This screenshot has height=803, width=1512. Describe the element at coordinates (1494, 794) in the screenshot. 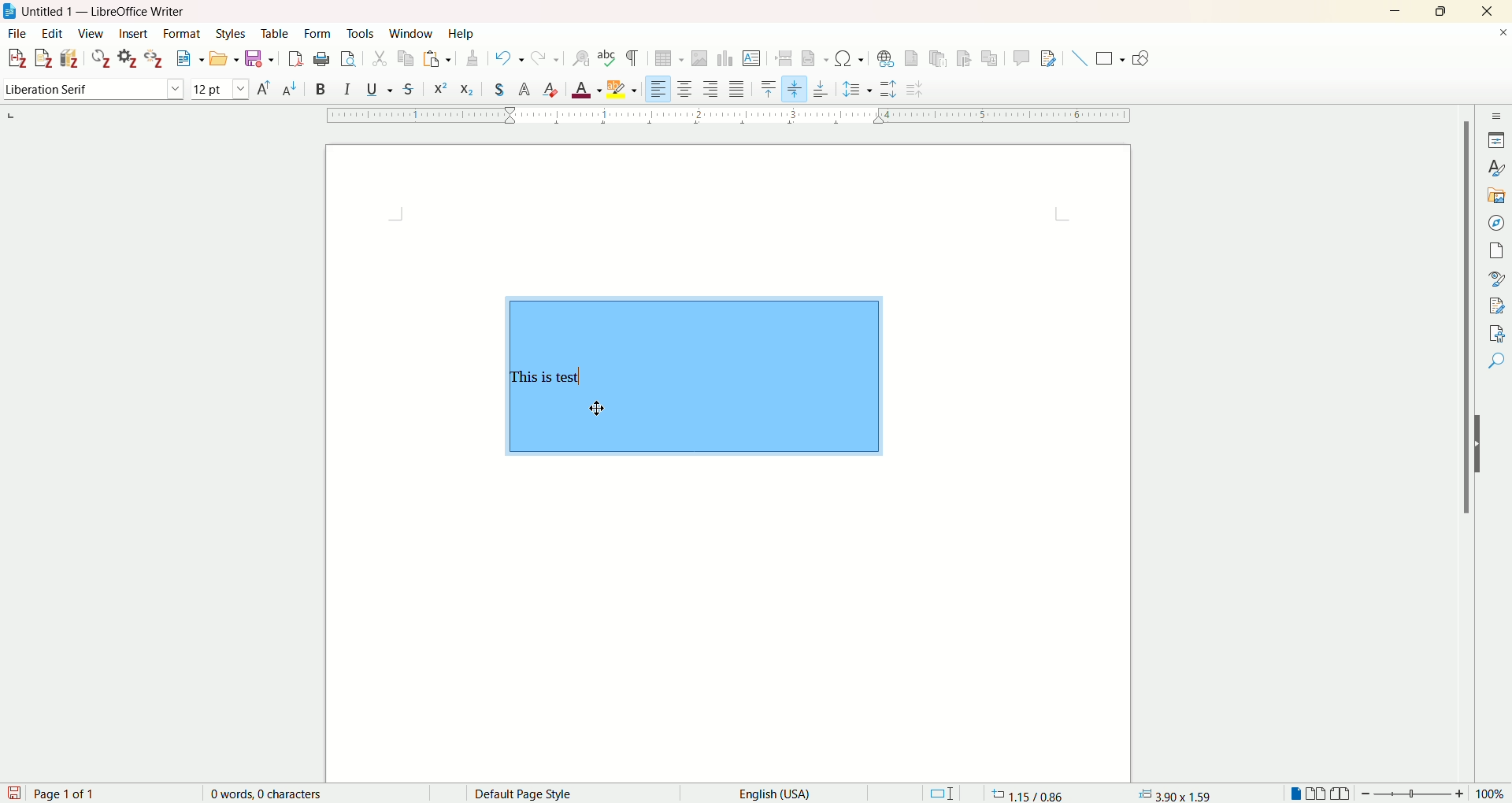

I see `zoom percent` at that location.